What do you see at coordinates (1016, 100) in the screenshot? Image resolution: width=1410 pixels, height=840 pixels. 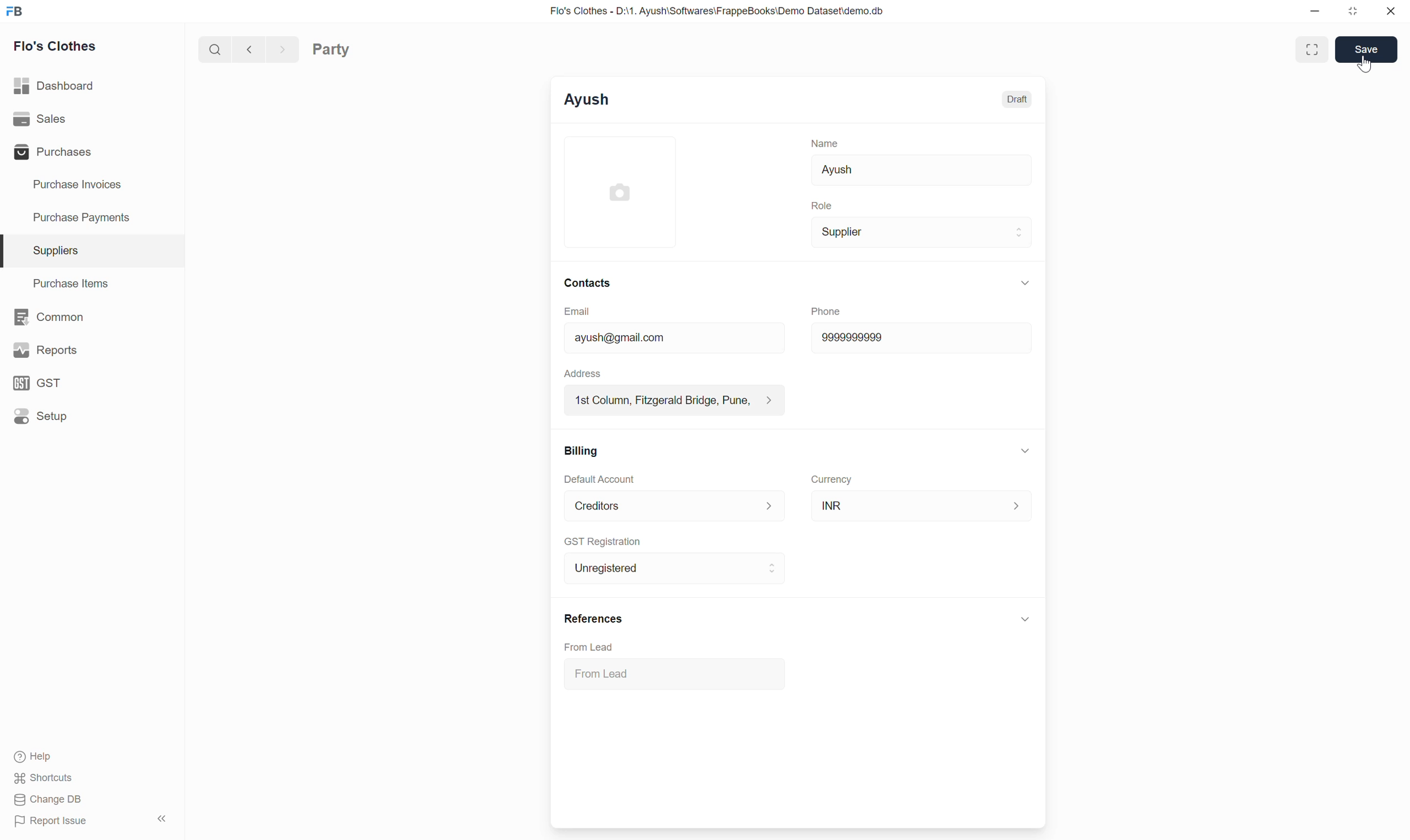 I see `Draft` at bounding box center [1016, 100].